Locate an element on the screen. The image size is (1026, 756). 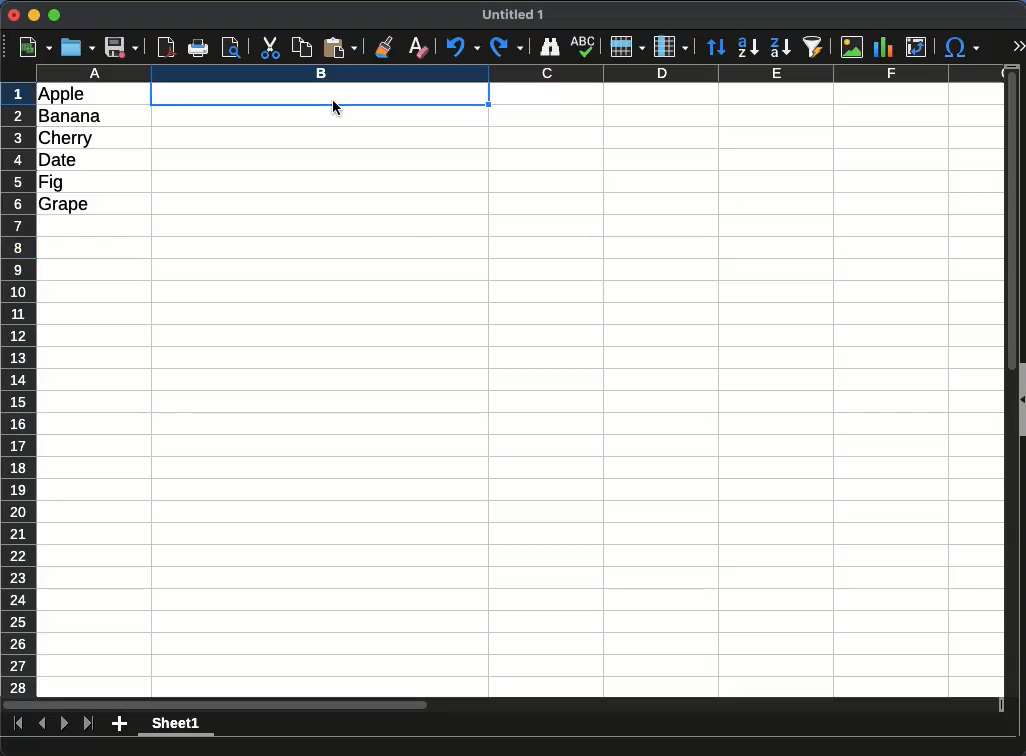
fig is located at coordinates (51, 183).